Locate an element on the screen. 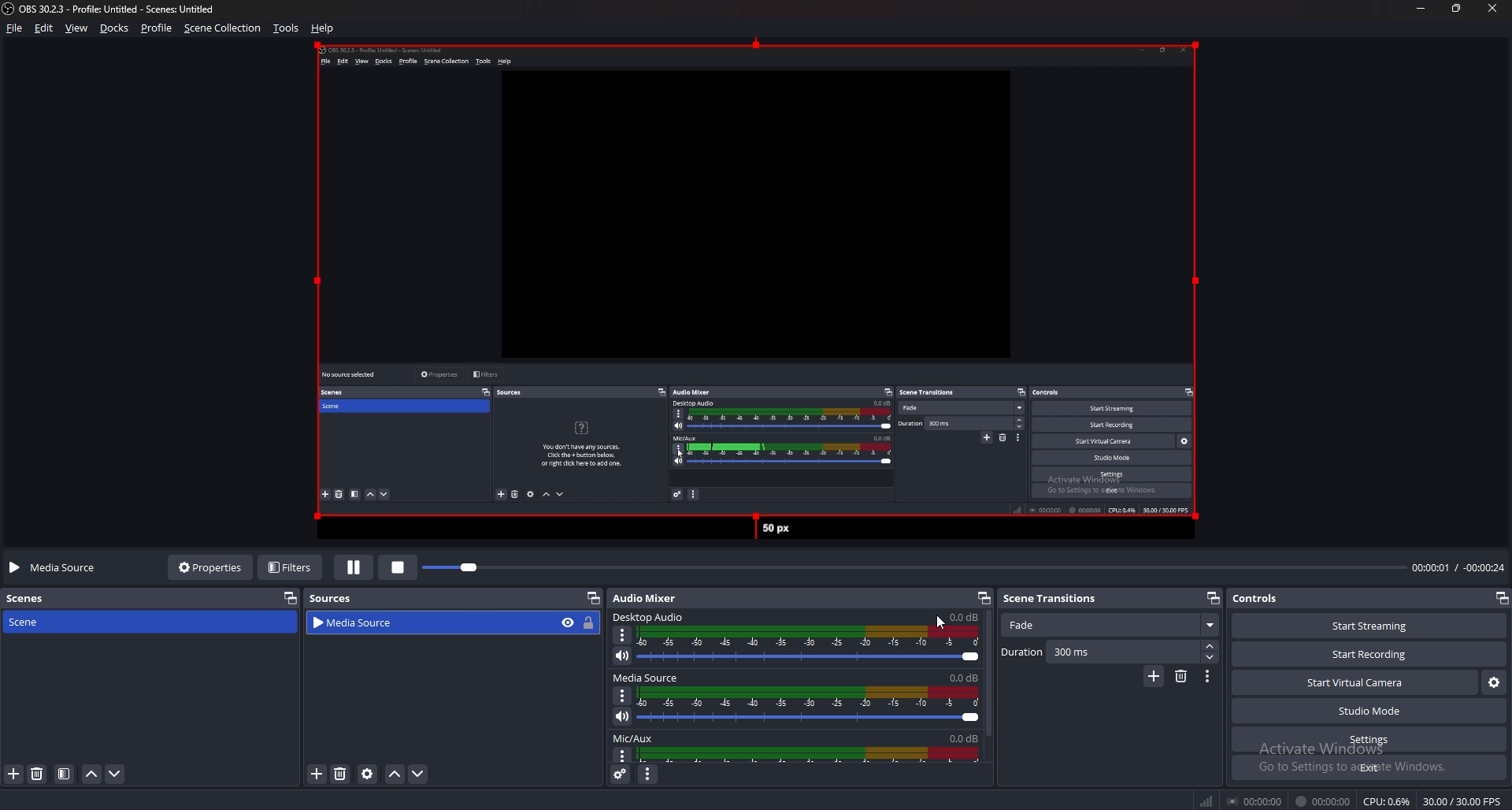 The image size is (1512, 810). 0.0db is located at coordinates (960, 736).